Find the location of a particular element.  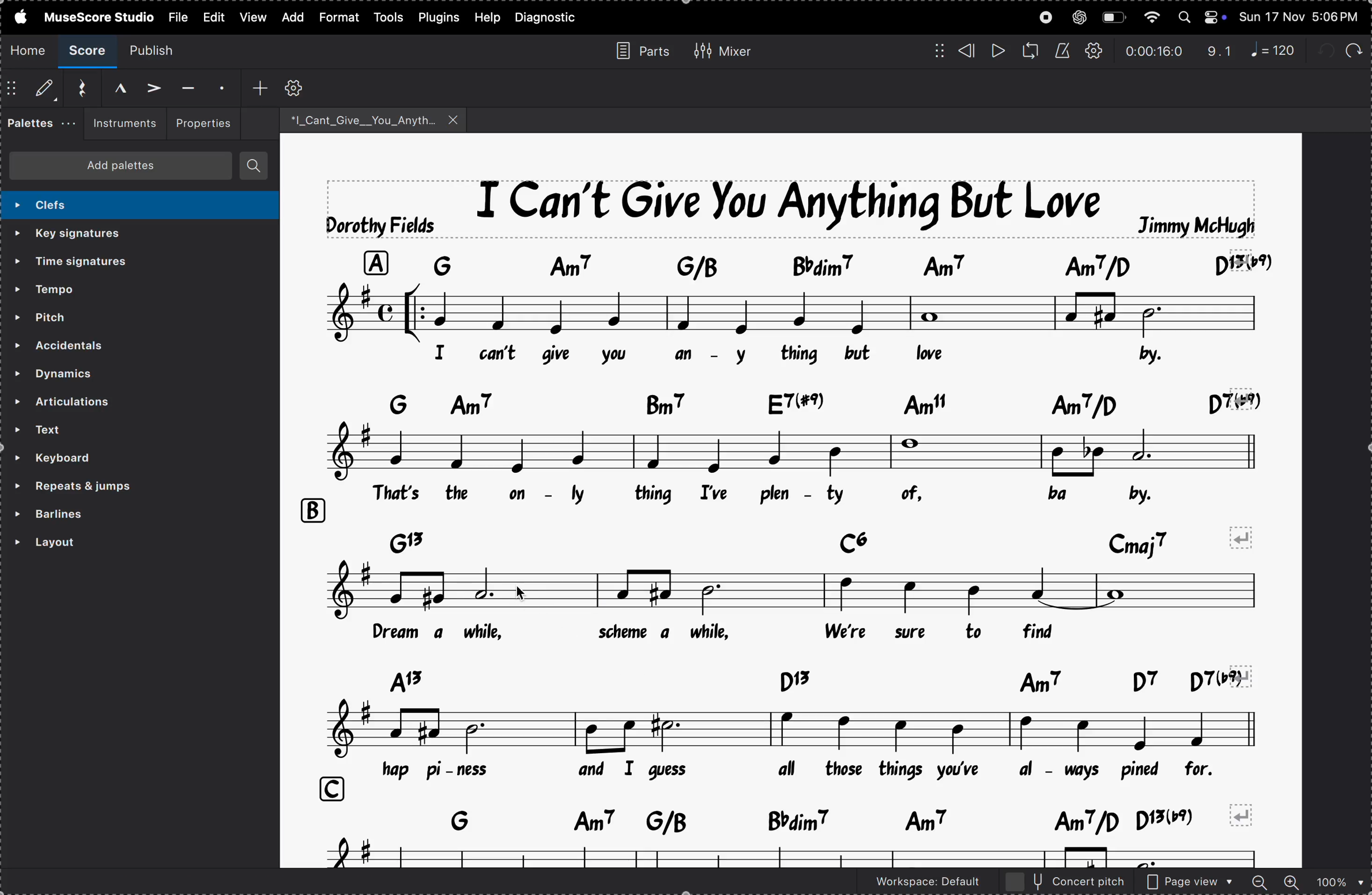

staccato  is located at coordinates (220, 86).